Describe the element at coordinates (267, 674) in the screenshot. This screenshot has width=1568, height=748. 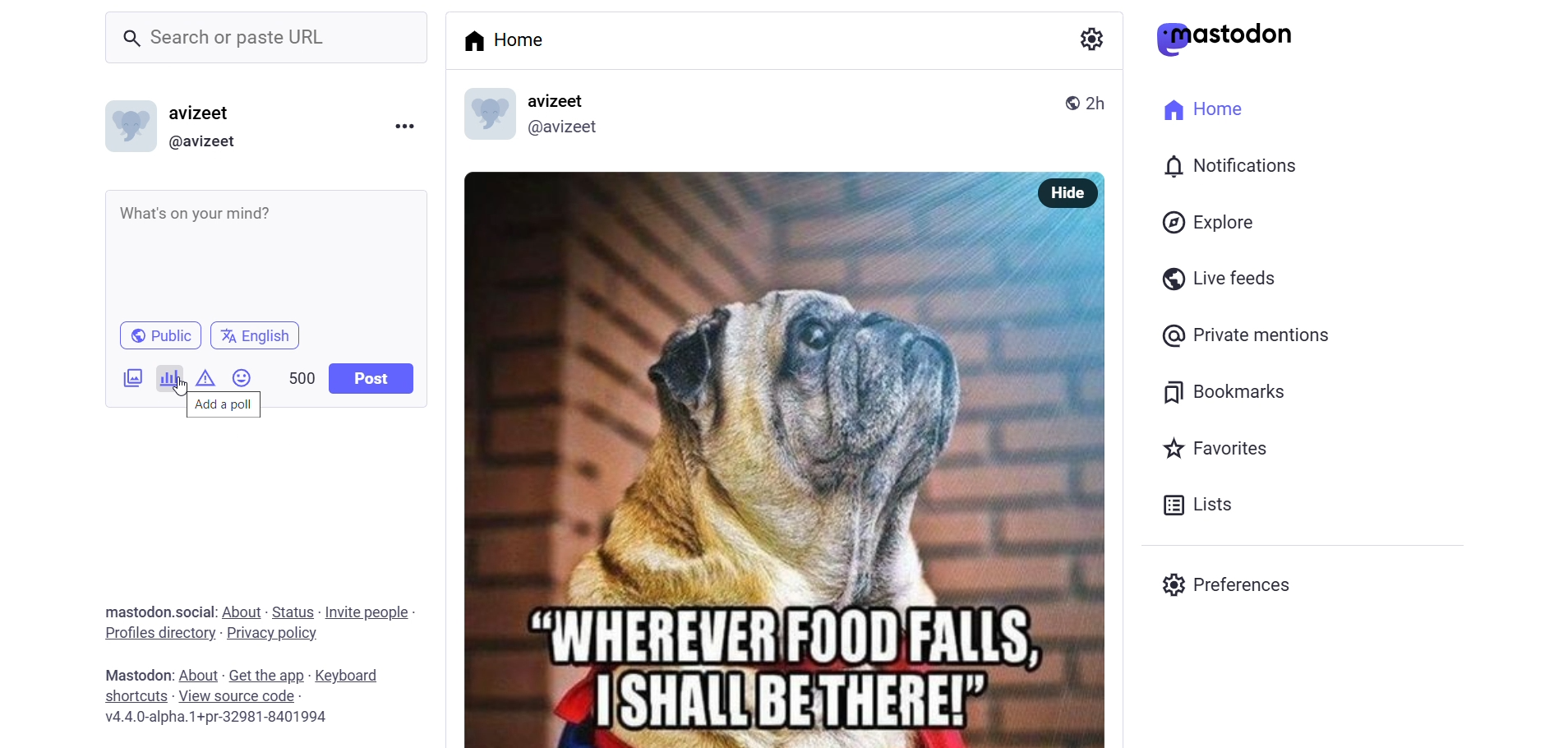
I see `get the app` at that location.